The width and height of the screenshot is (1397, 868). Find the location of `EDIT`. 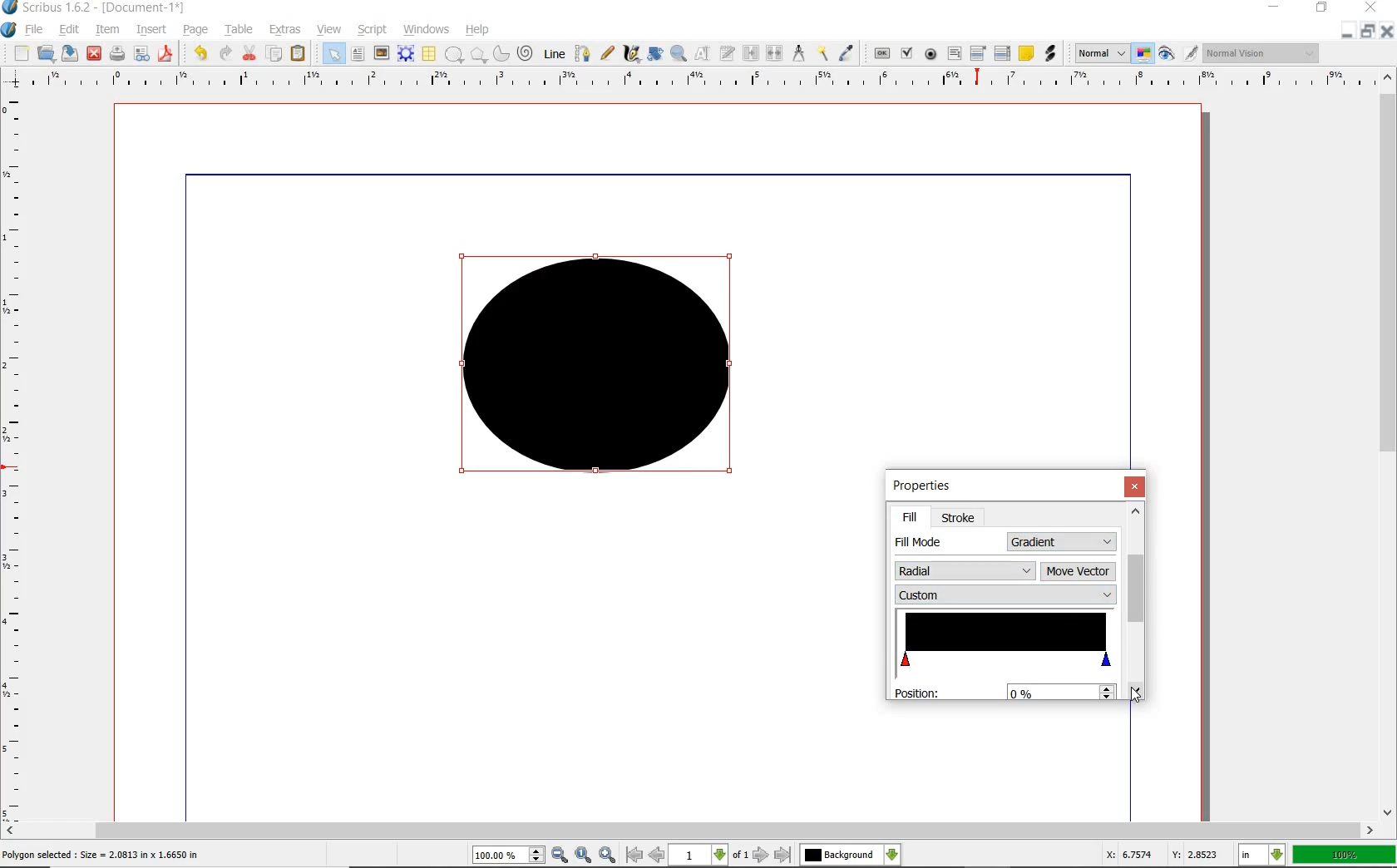

EDIT is located at coordinates (68, 31).